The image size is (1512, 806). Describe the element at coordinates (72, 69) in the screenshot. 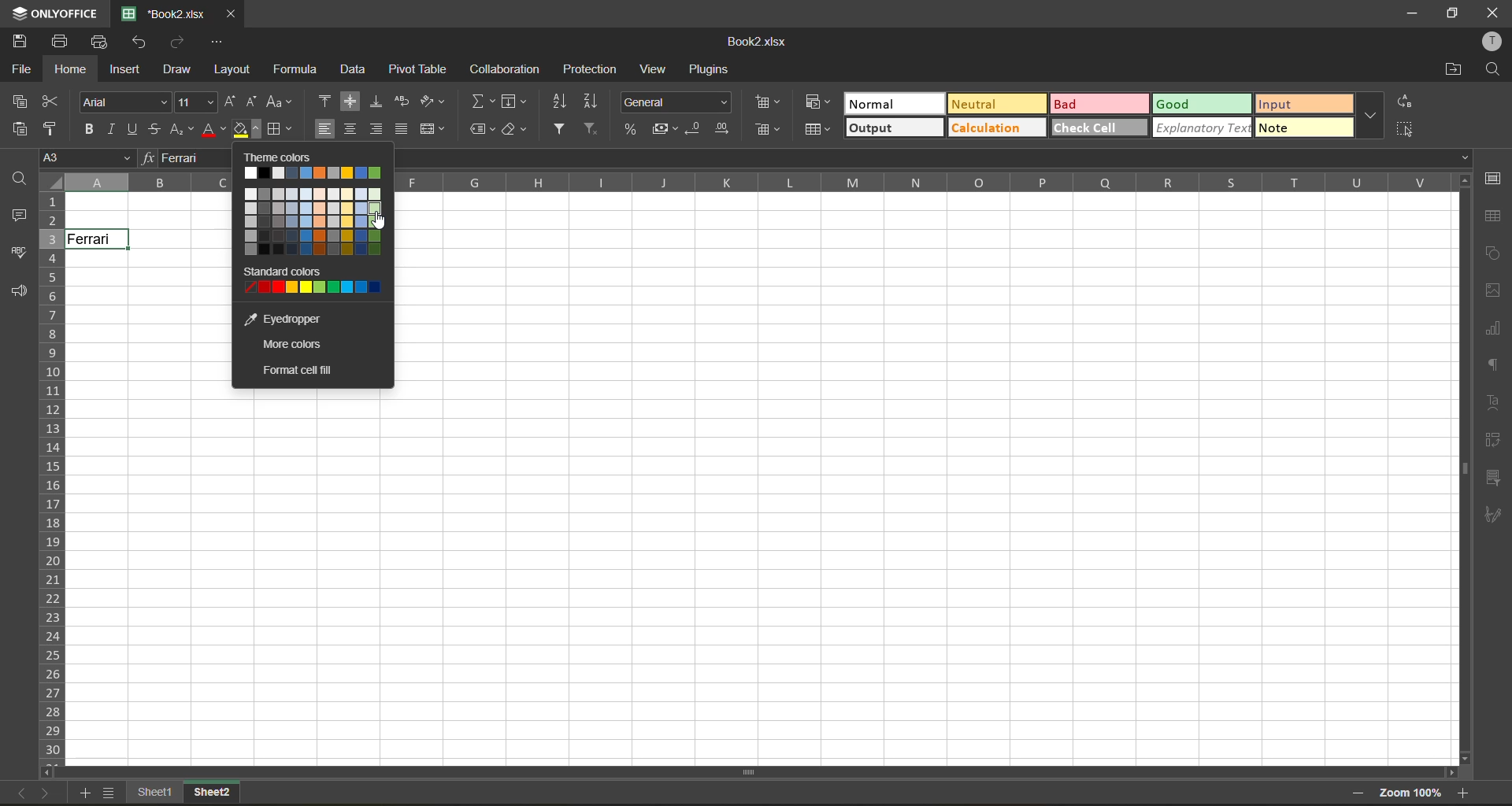

I see `home` at that location.